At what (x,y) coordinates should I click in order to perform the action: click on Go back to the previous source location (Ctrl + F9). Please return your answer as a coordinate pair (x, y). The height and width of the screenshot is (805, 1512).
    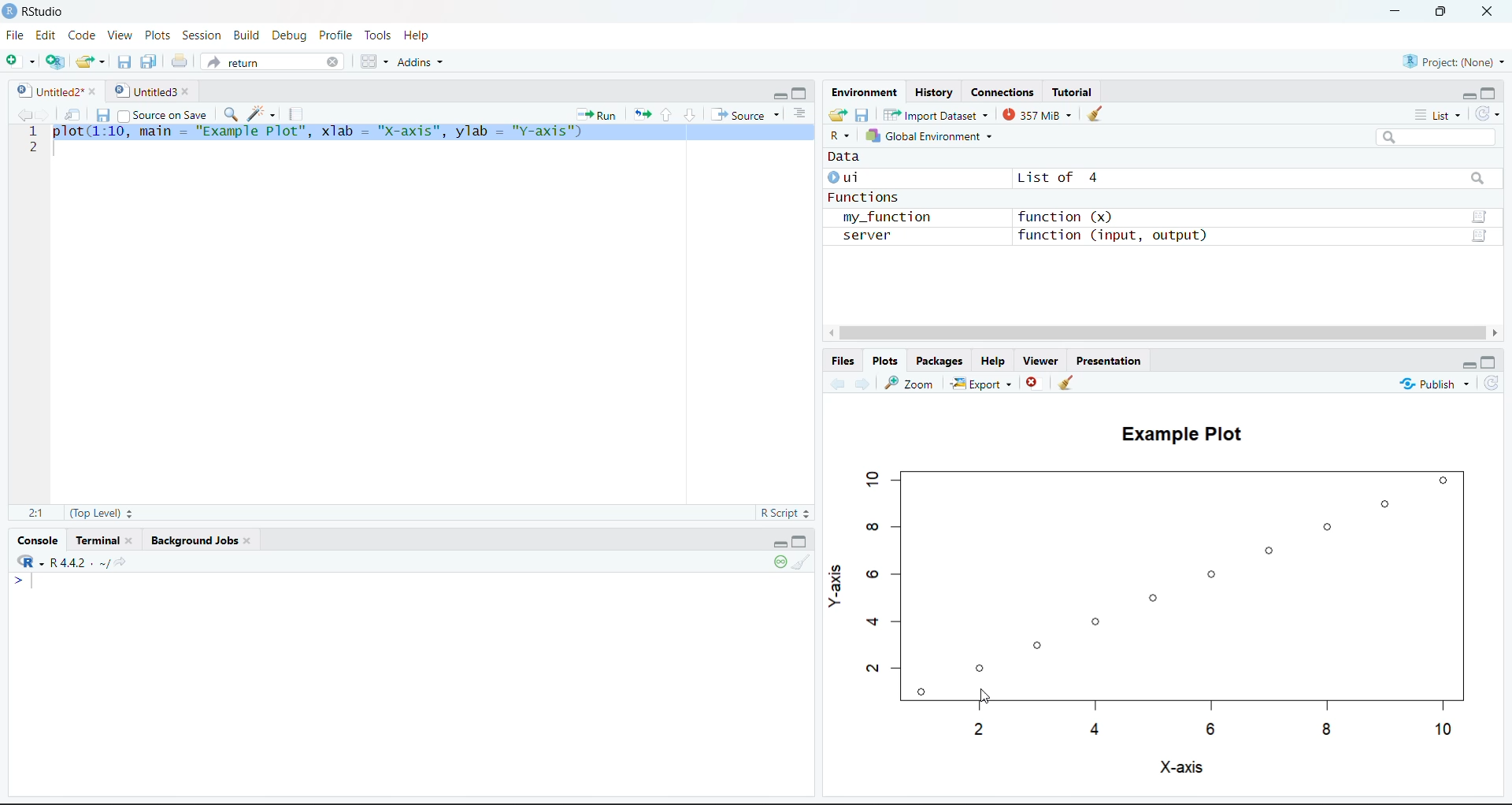
    Looking at the image, I should click on (836, 383).